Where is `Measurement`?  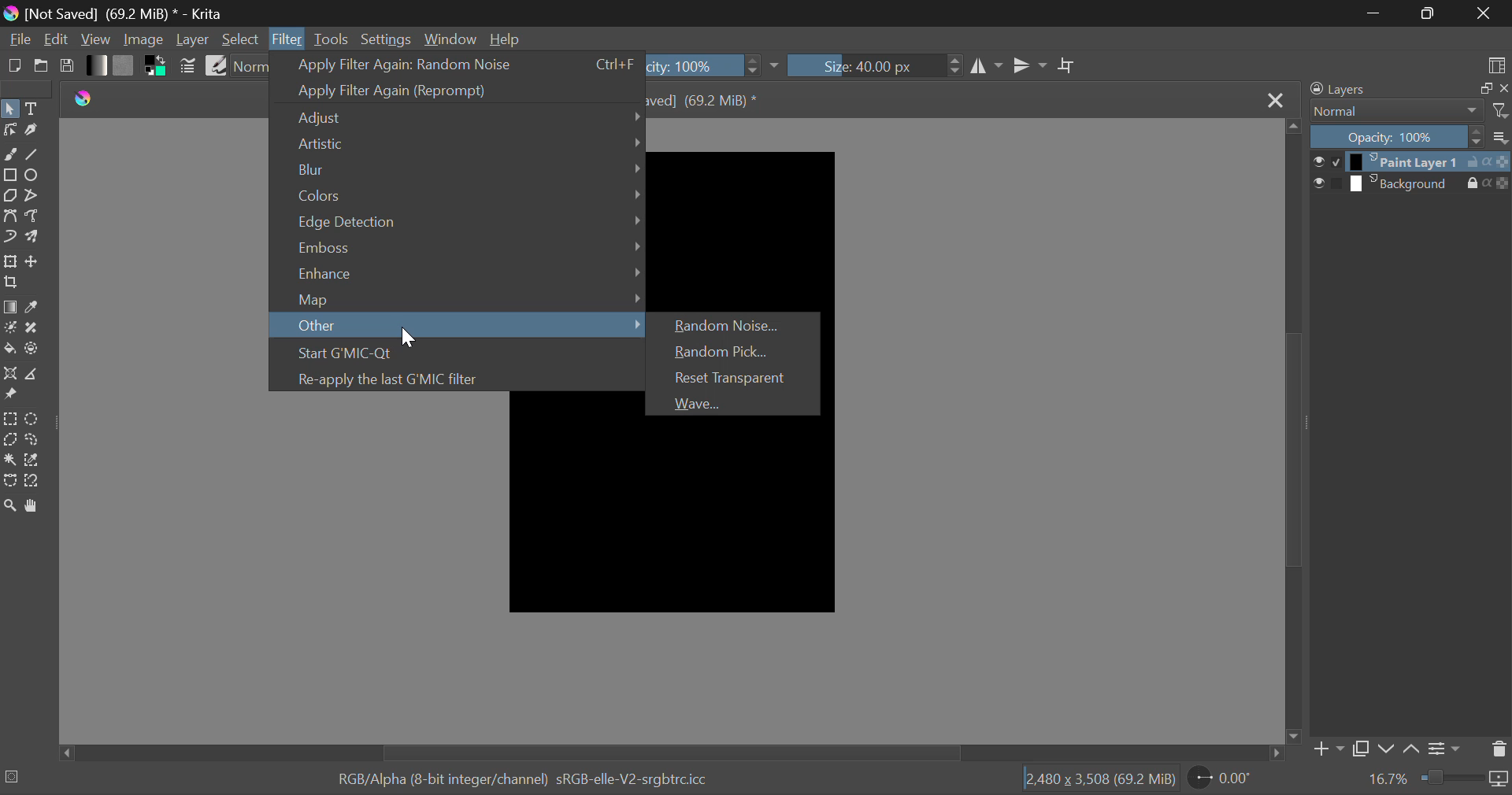 Measurement is located at coordinates (34, 375).